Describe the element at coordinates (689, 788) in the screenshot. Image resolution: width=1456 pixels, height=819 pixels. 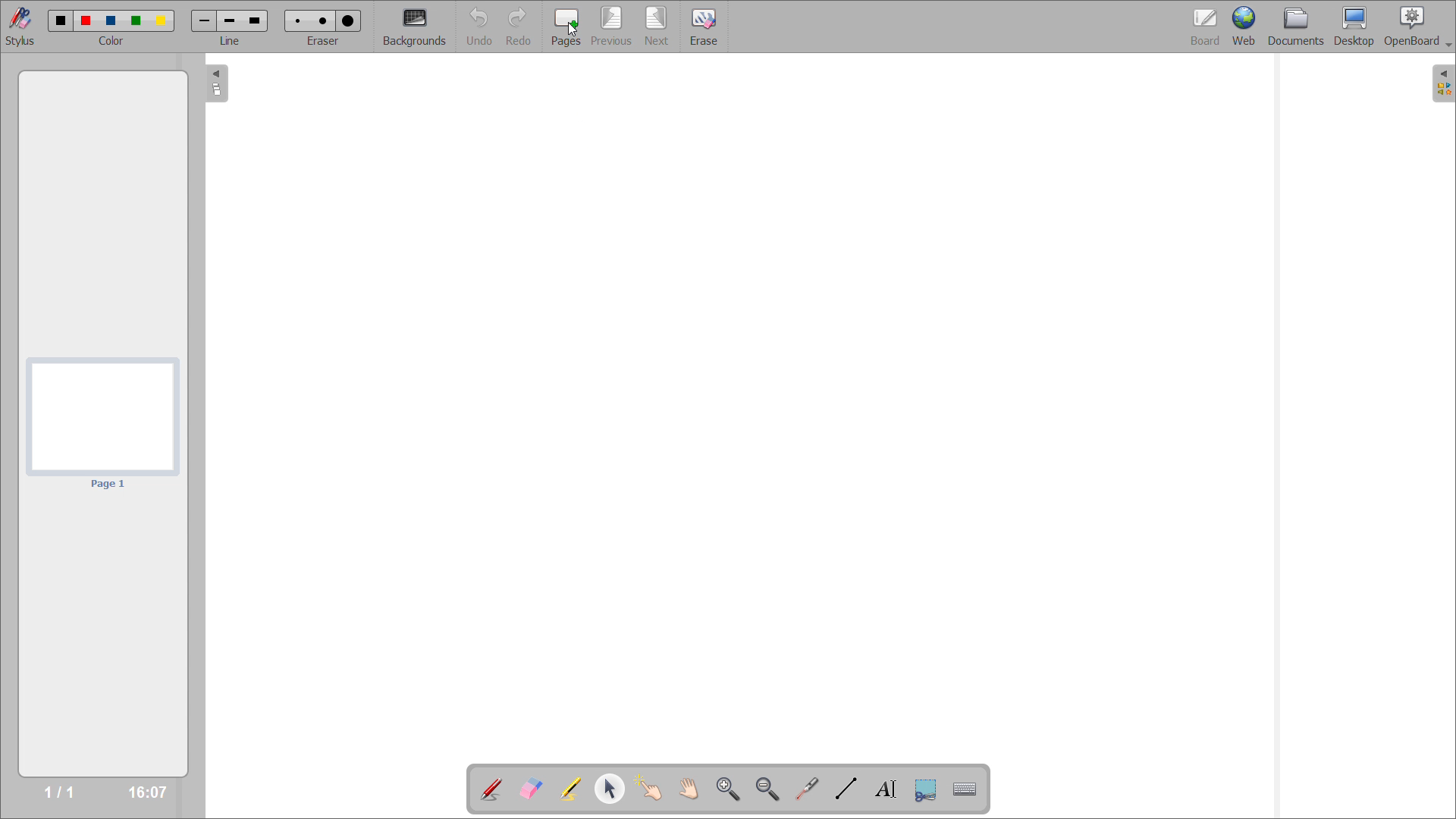
I see `scroll page` at that location.